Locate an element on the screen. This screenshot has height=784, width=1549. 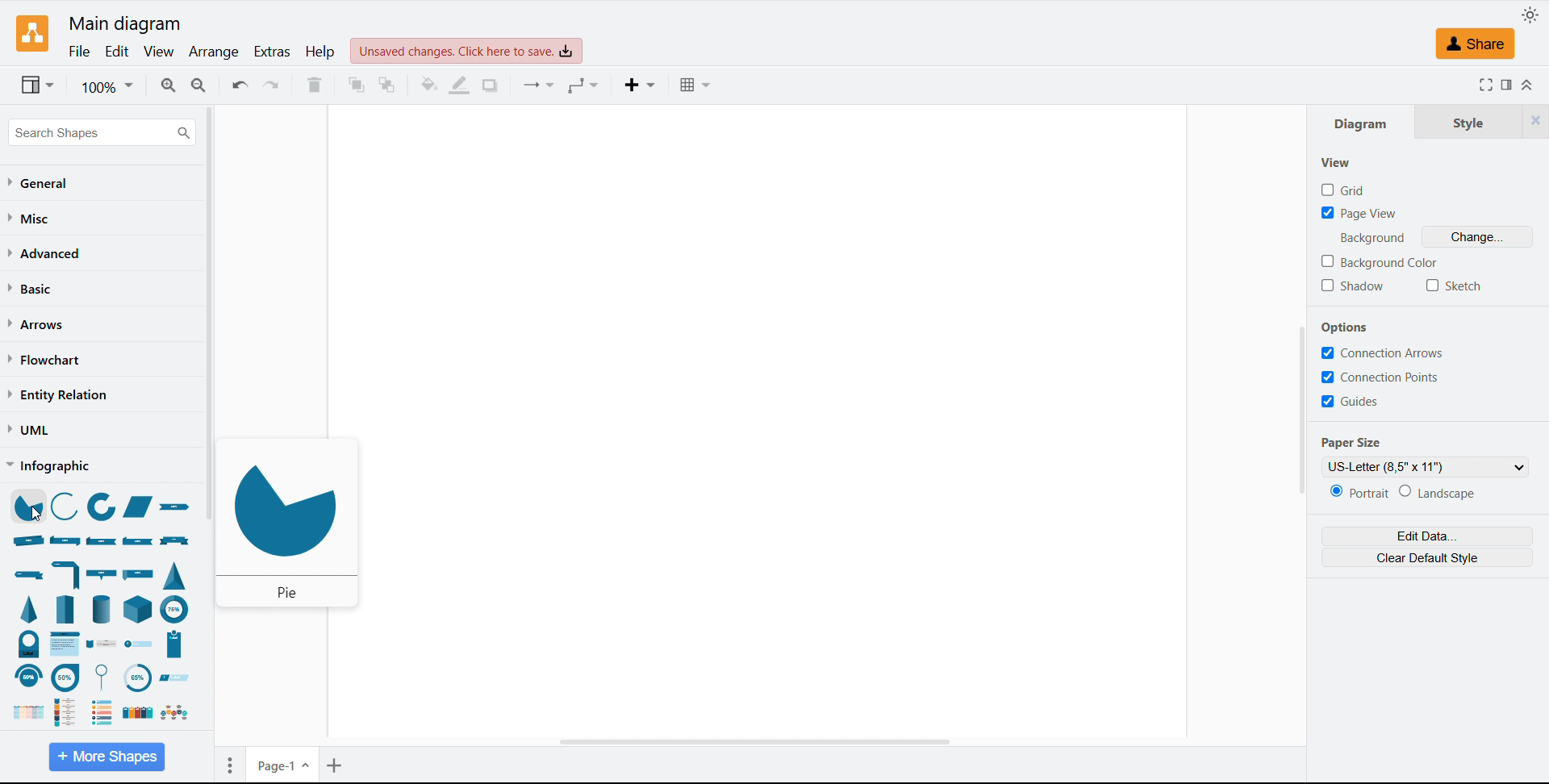
circular dial is located at coordinates (27, 644).